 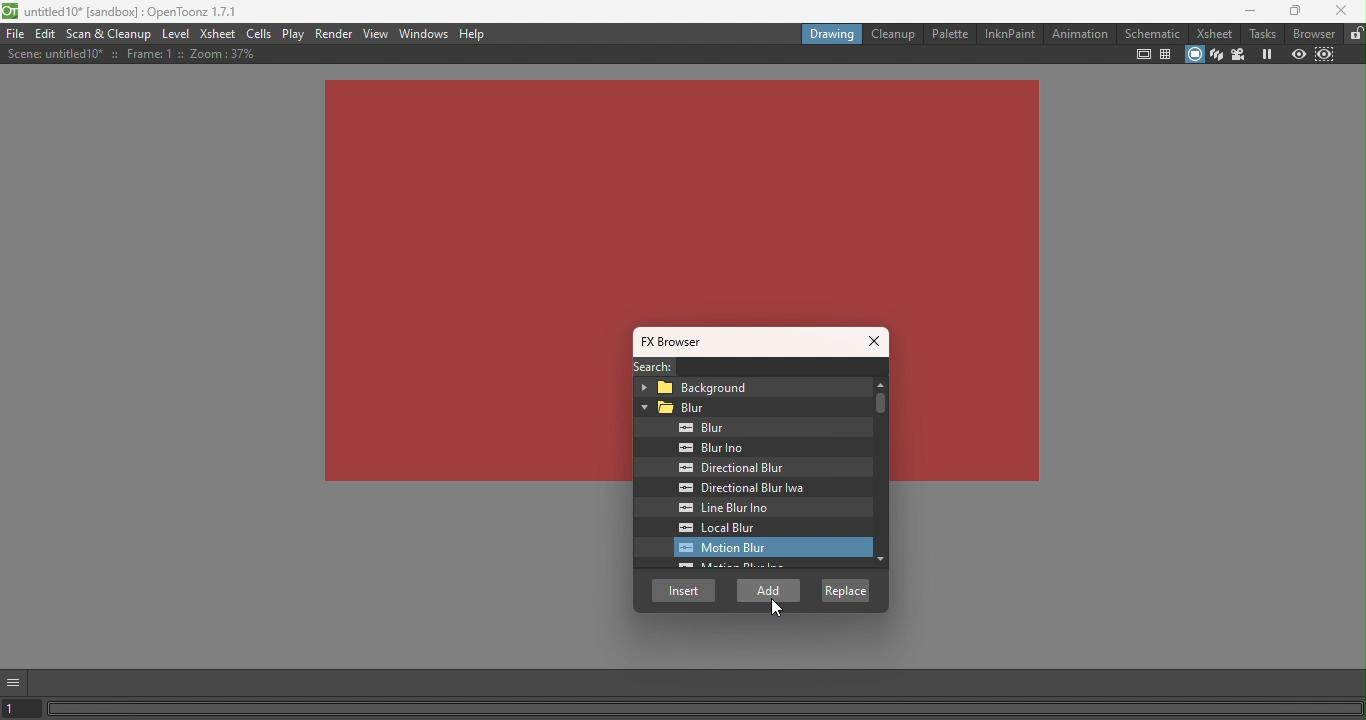 I want to click on Level, so click(x=176, y=35).